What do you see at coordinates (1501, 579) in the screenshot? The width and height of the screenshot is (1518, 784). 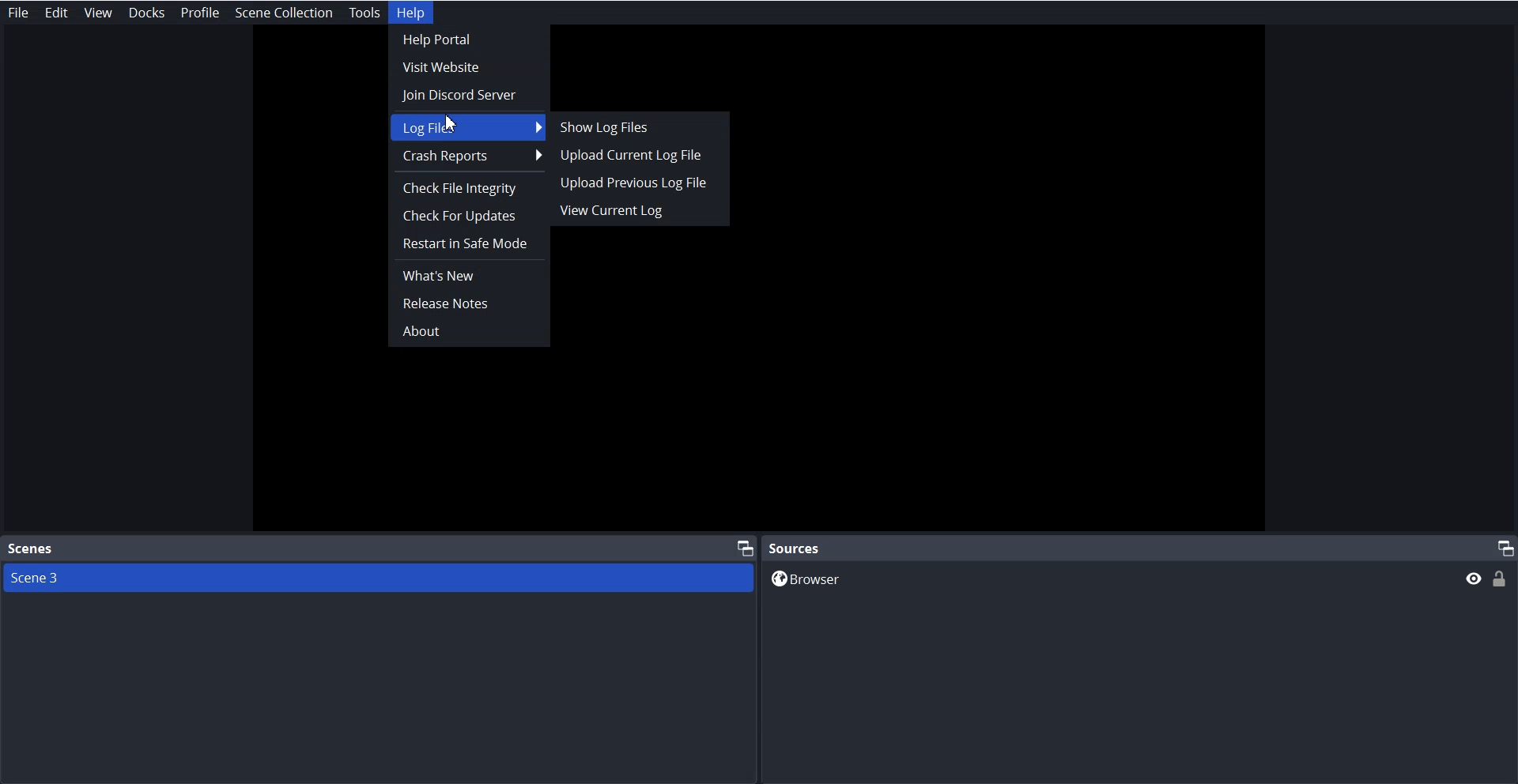 I see `Lock` at bounding box center [1501, 579].